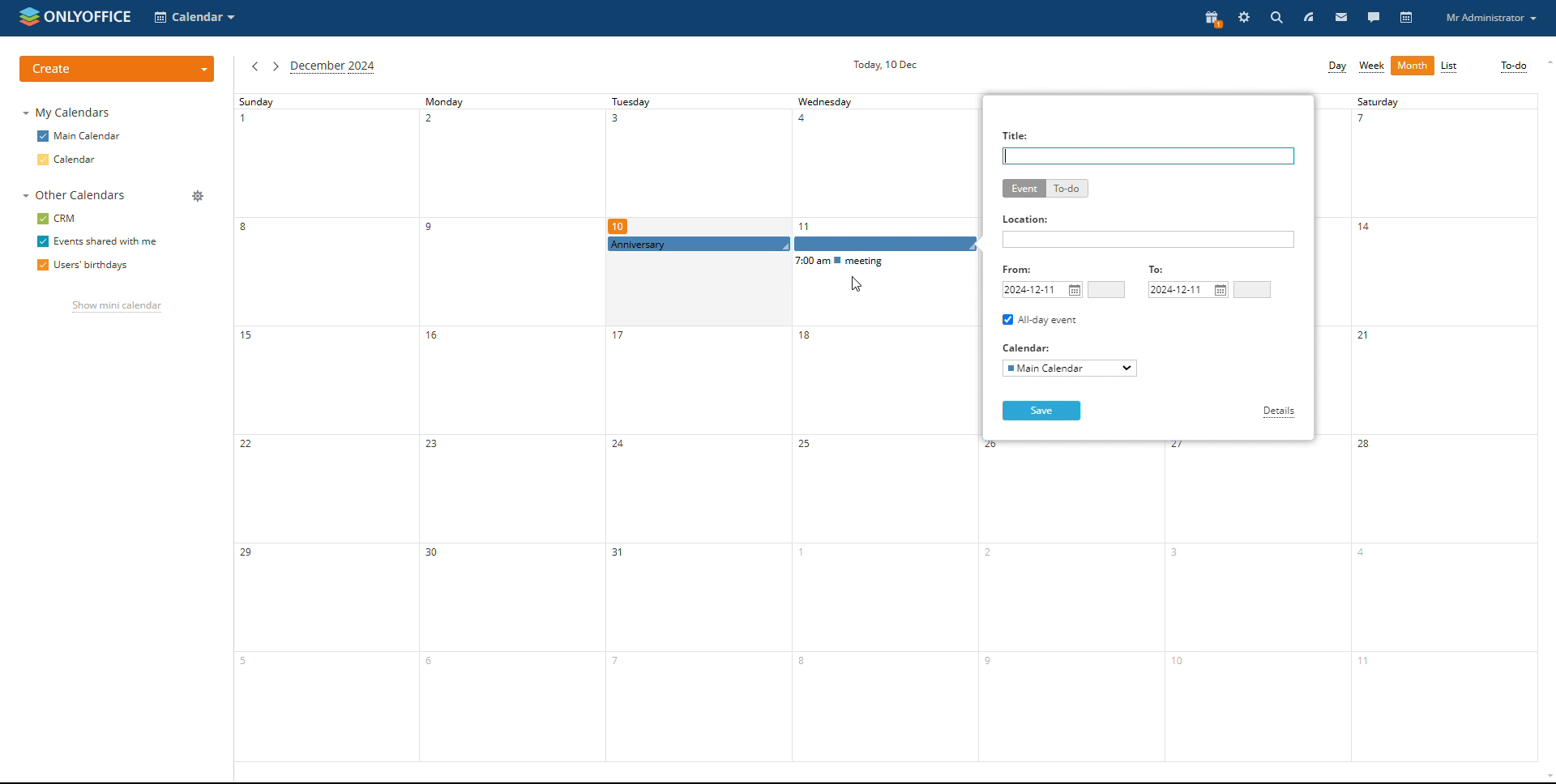  I want to click on Location:, so click(1027, 219).